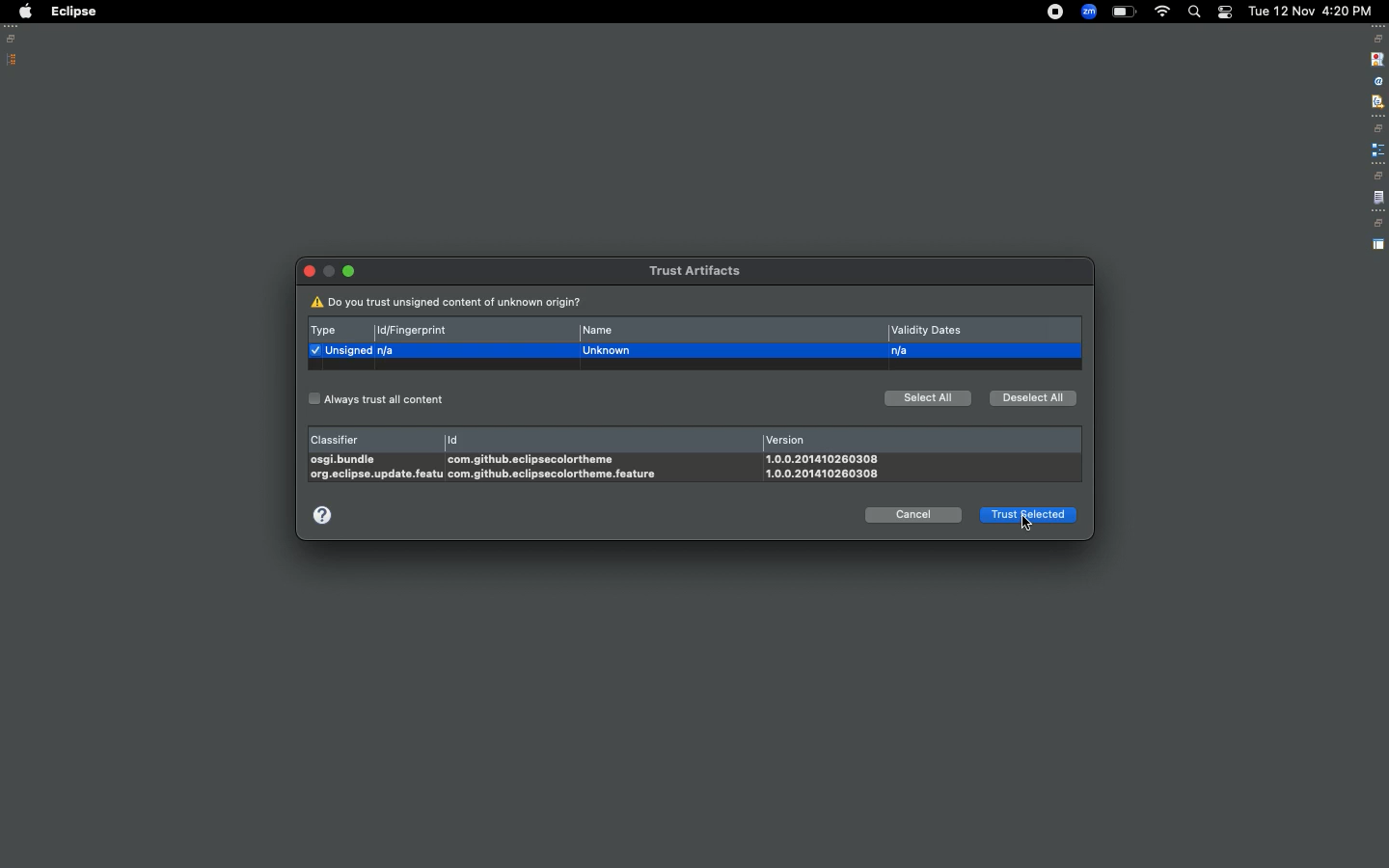 Image resolution: width=1389 pixels, height=868 pixels. I want to click on Eclipse, so click(73, 12).